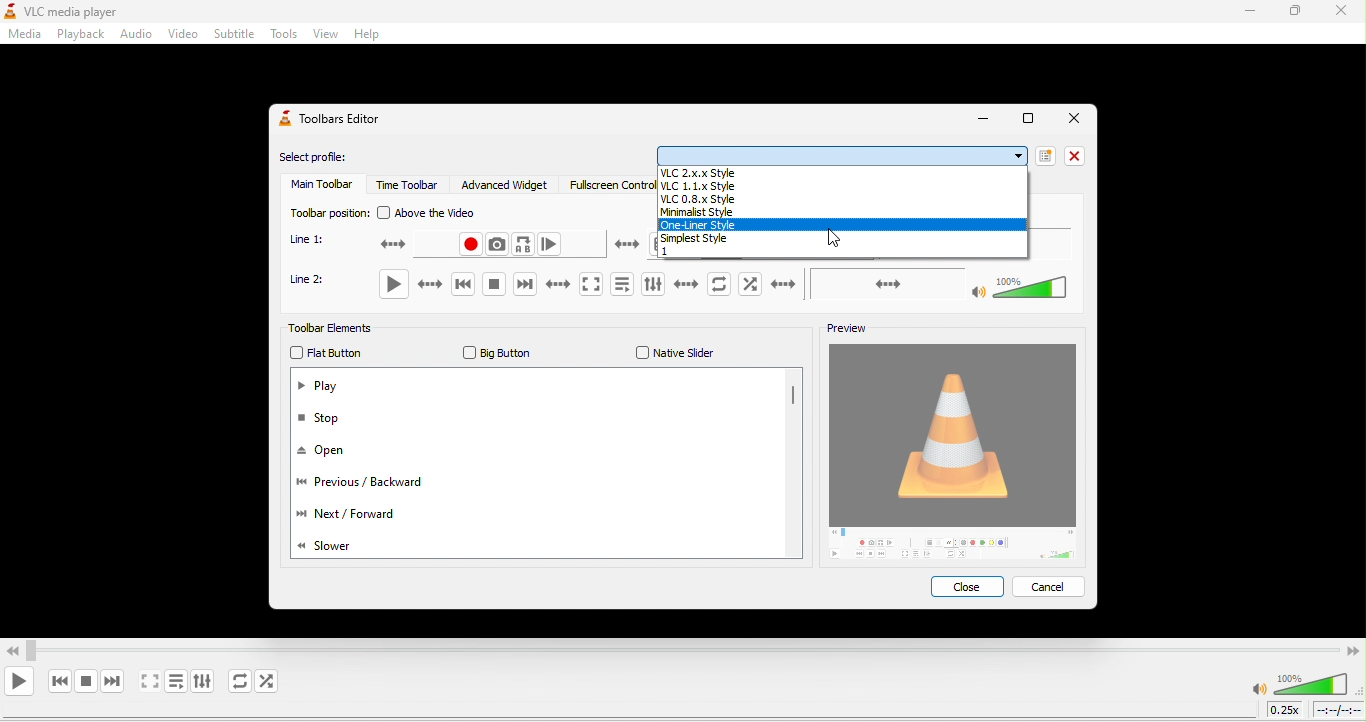  Describe the element at coordinates (553, 244) in the screenshot. I see `frame by frame` at that location.